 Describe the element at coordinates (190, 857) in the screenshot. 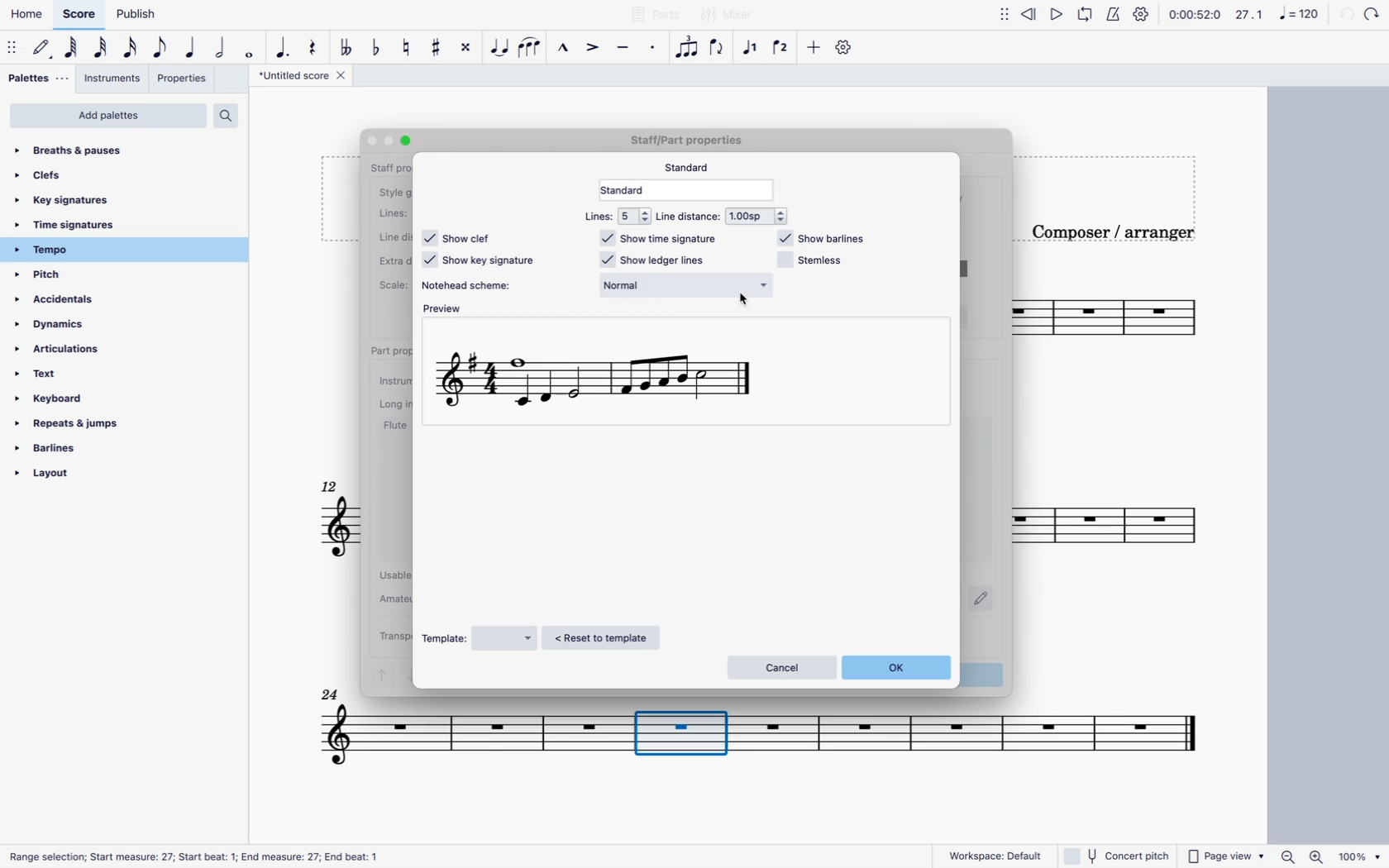

I see `` at that location.